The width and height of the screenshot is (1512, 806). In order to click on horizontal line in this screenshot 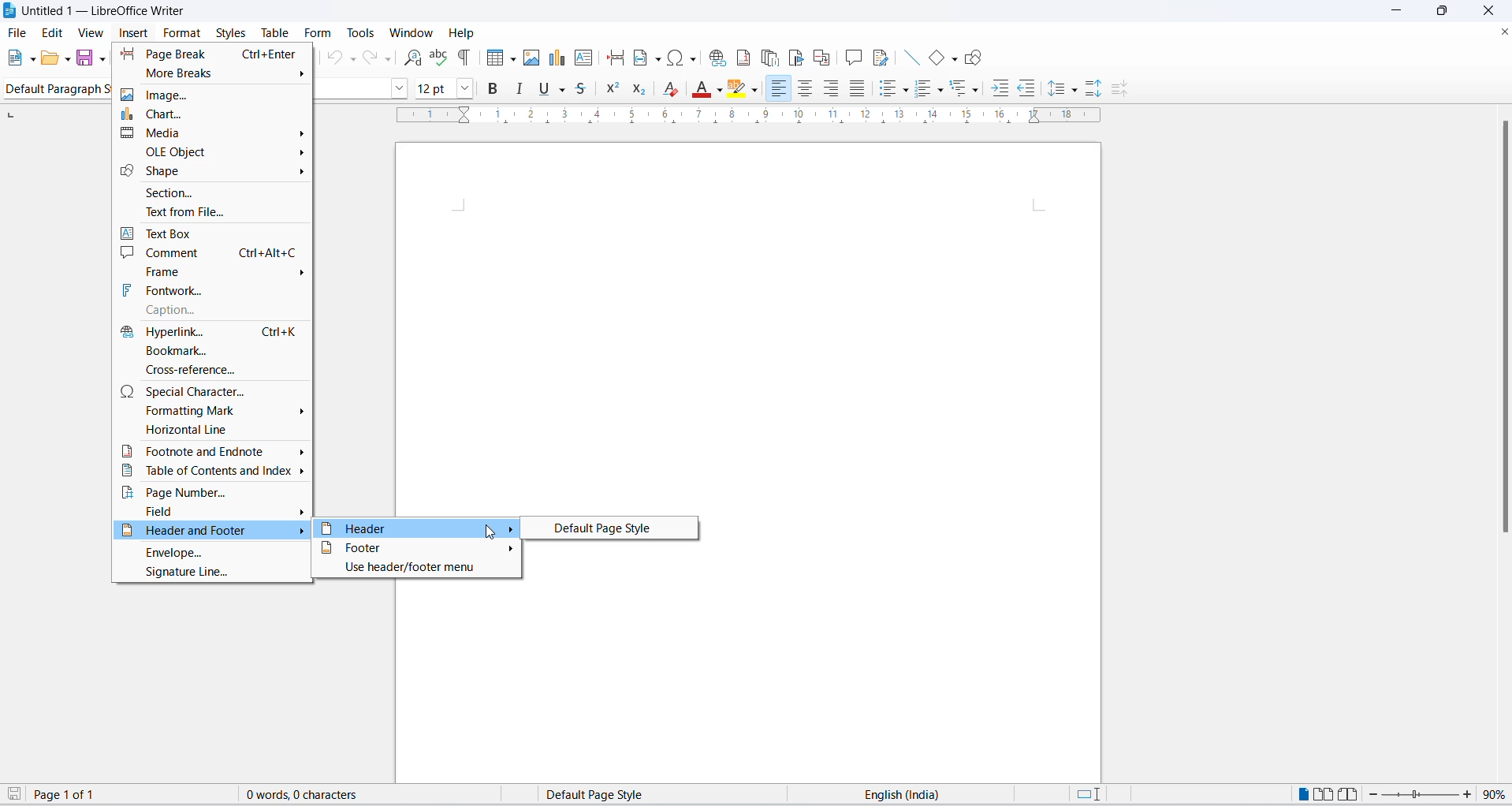, I will do `click(210, 431)`.